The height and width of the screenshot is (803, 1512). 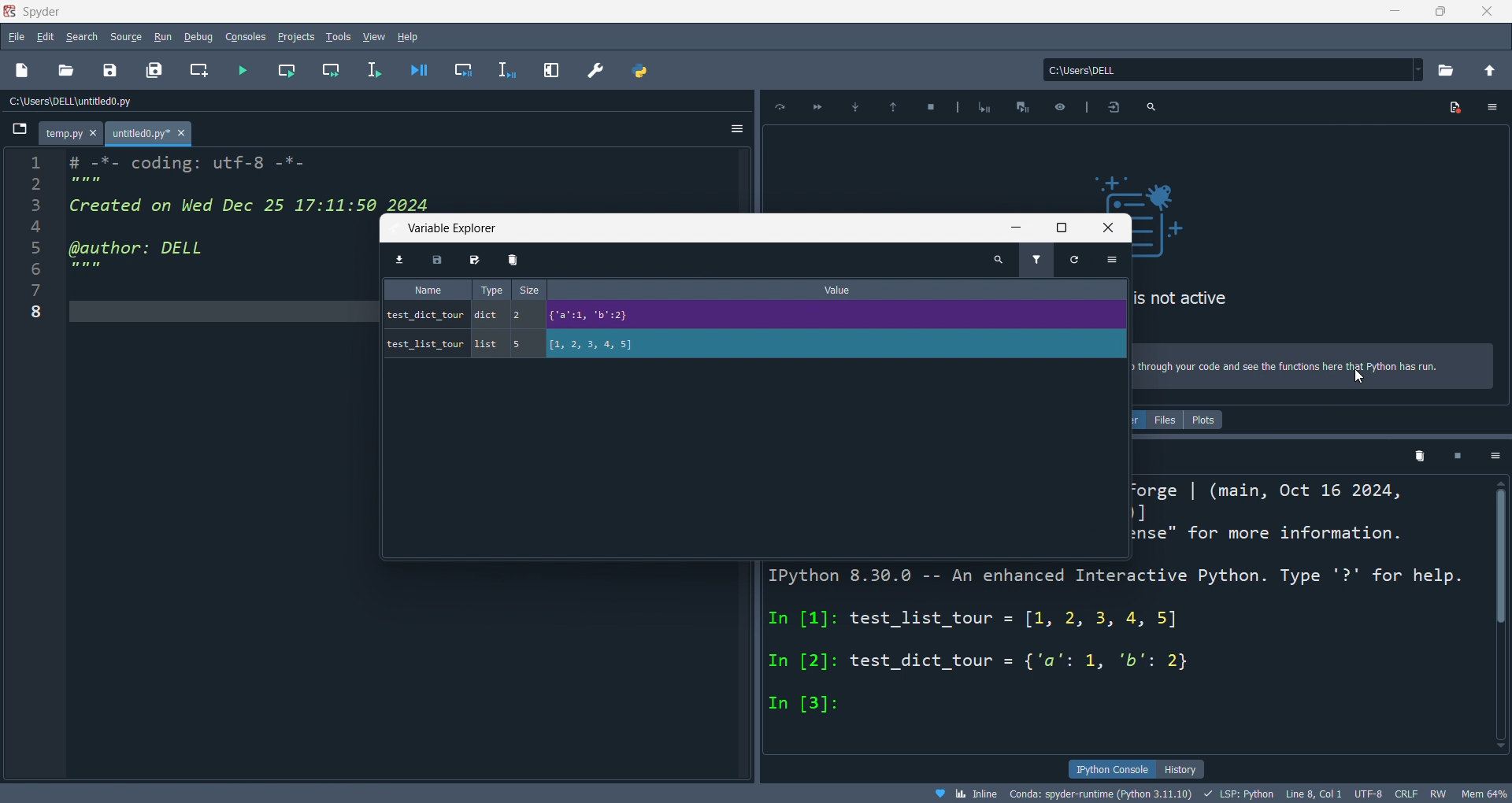 What do you see at coordinates (16, 131) in the screenshot?
I see `browse tabs` at bounding box center [16, 131].